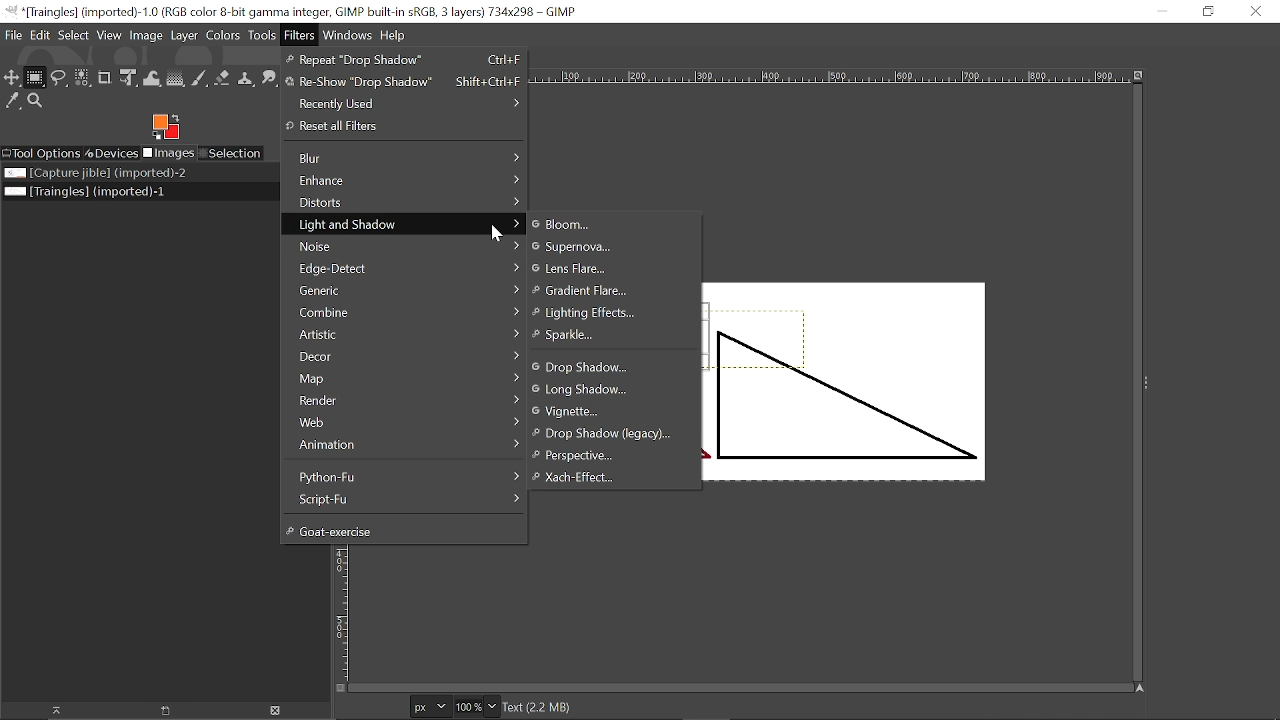 The image size is (1280, 720). I want to click on Zoom tool, so click(37, 100).